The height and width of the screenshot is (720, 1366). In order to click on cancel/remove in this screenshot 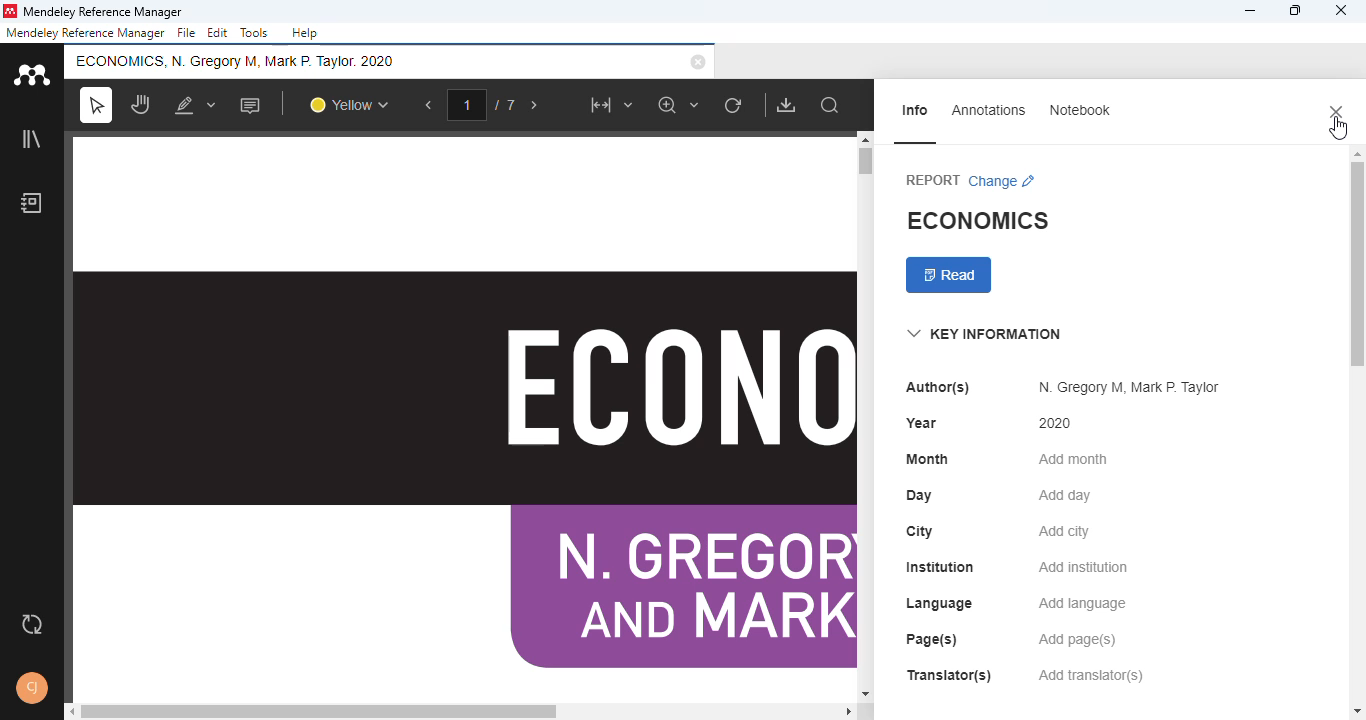, I will do `click(698, 62)`.